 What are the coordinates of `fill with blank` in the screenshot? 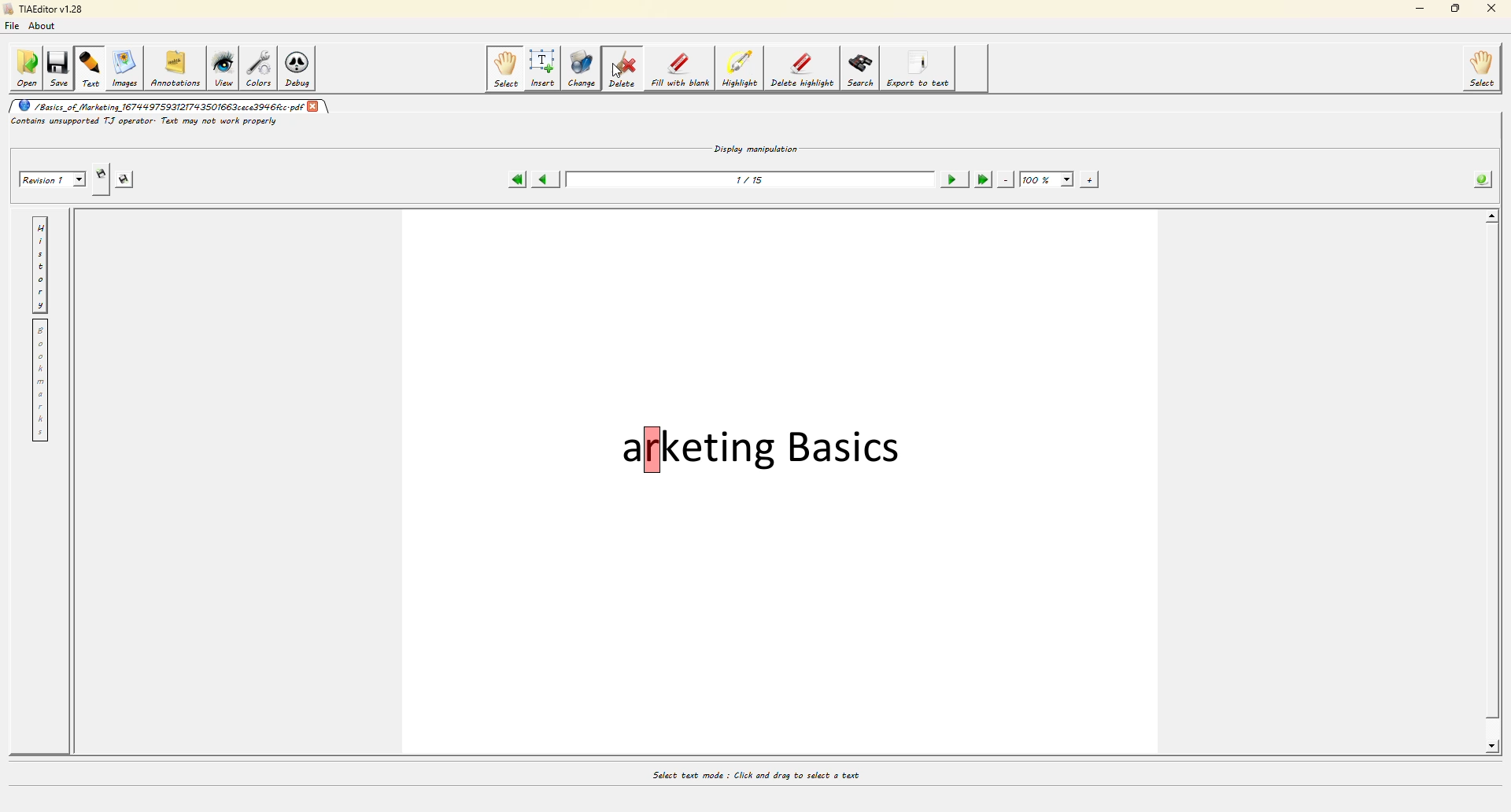 It's located at (680, 68).